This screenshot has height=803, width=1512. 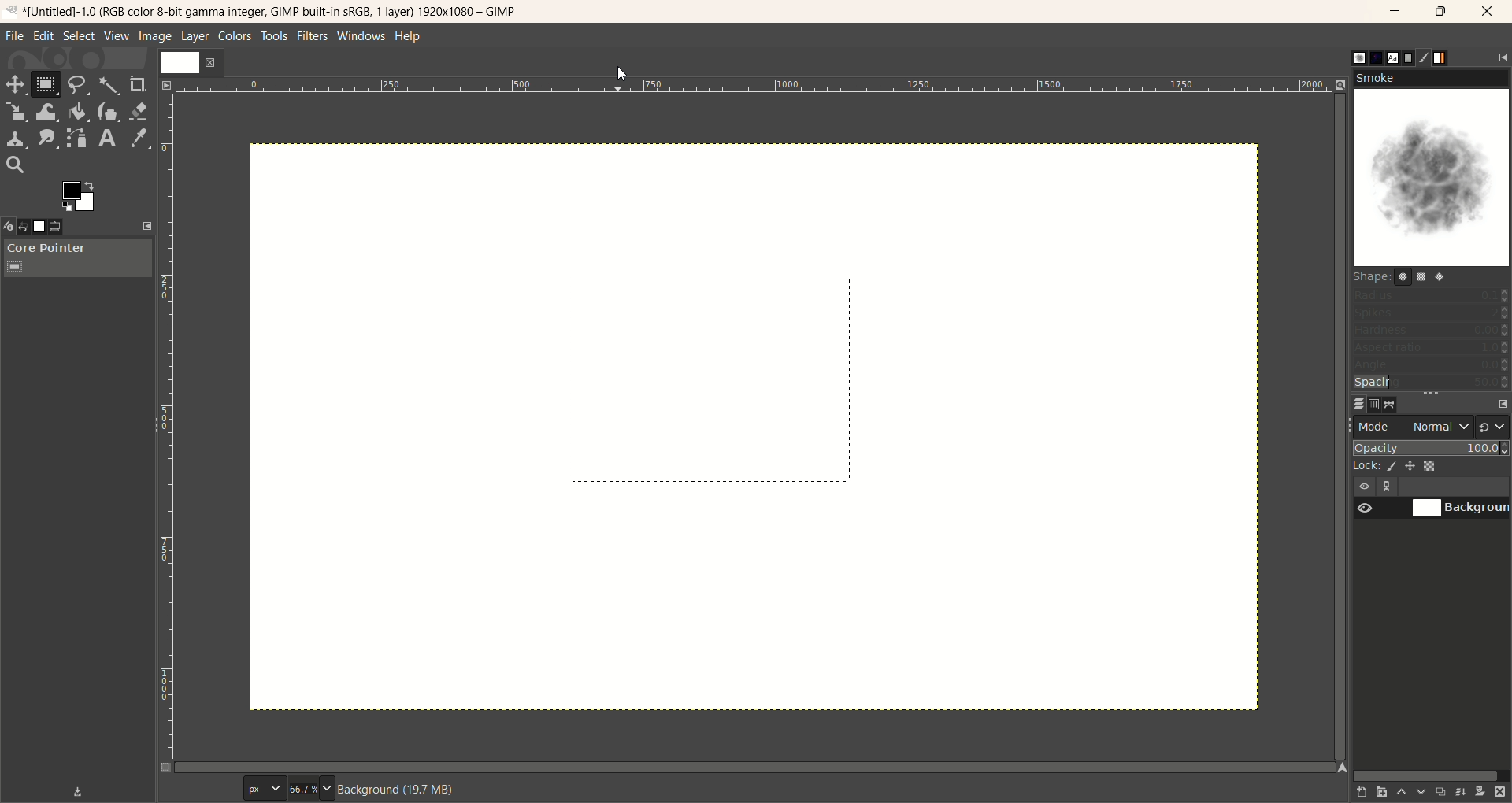 I want to click on delete this layer, so click(x=1501, y=793).